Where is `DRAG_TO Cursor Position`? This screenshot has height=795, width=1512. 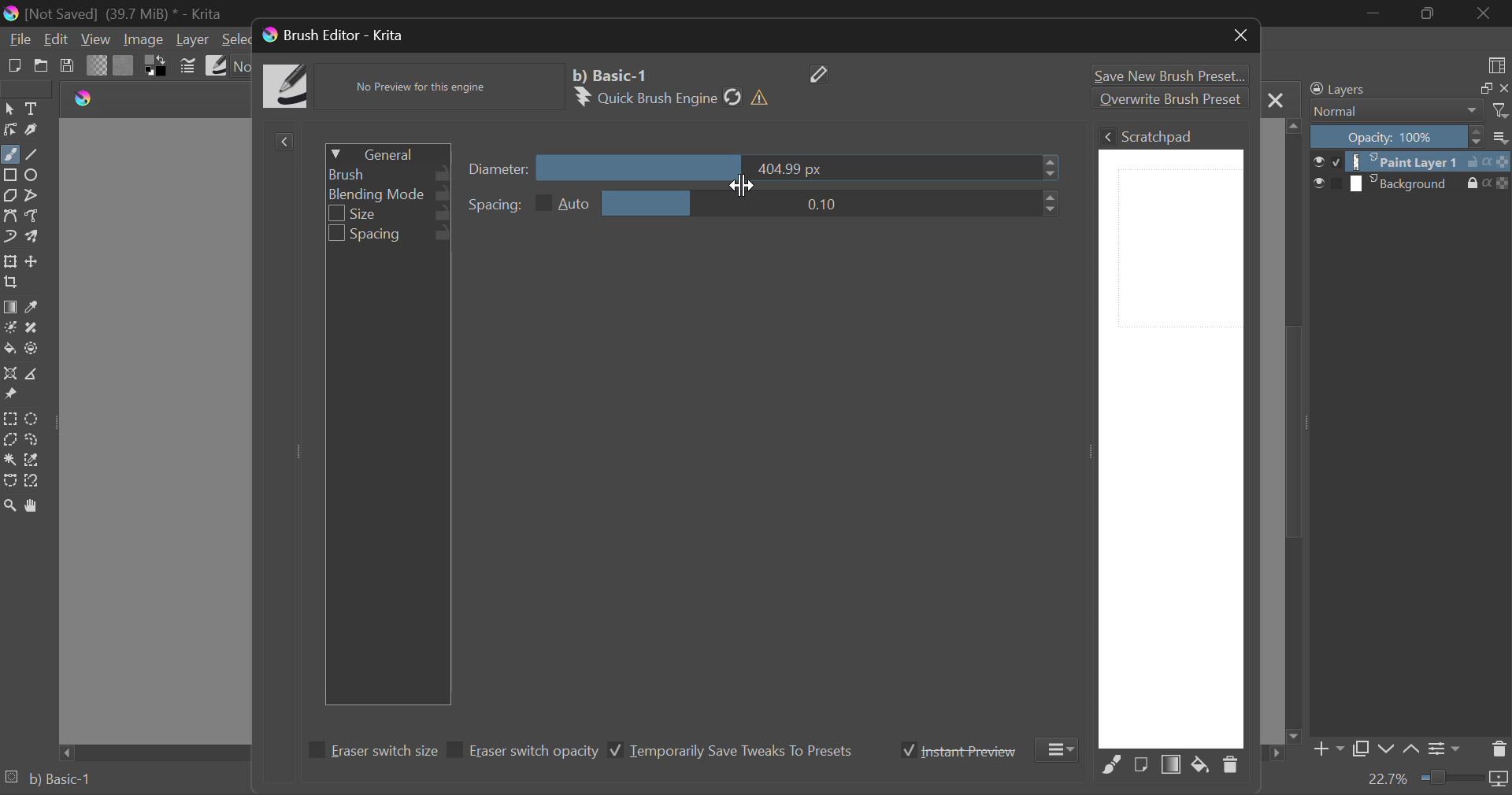 DRAG_TO Cursor Position is located at coordinates (742, 165).